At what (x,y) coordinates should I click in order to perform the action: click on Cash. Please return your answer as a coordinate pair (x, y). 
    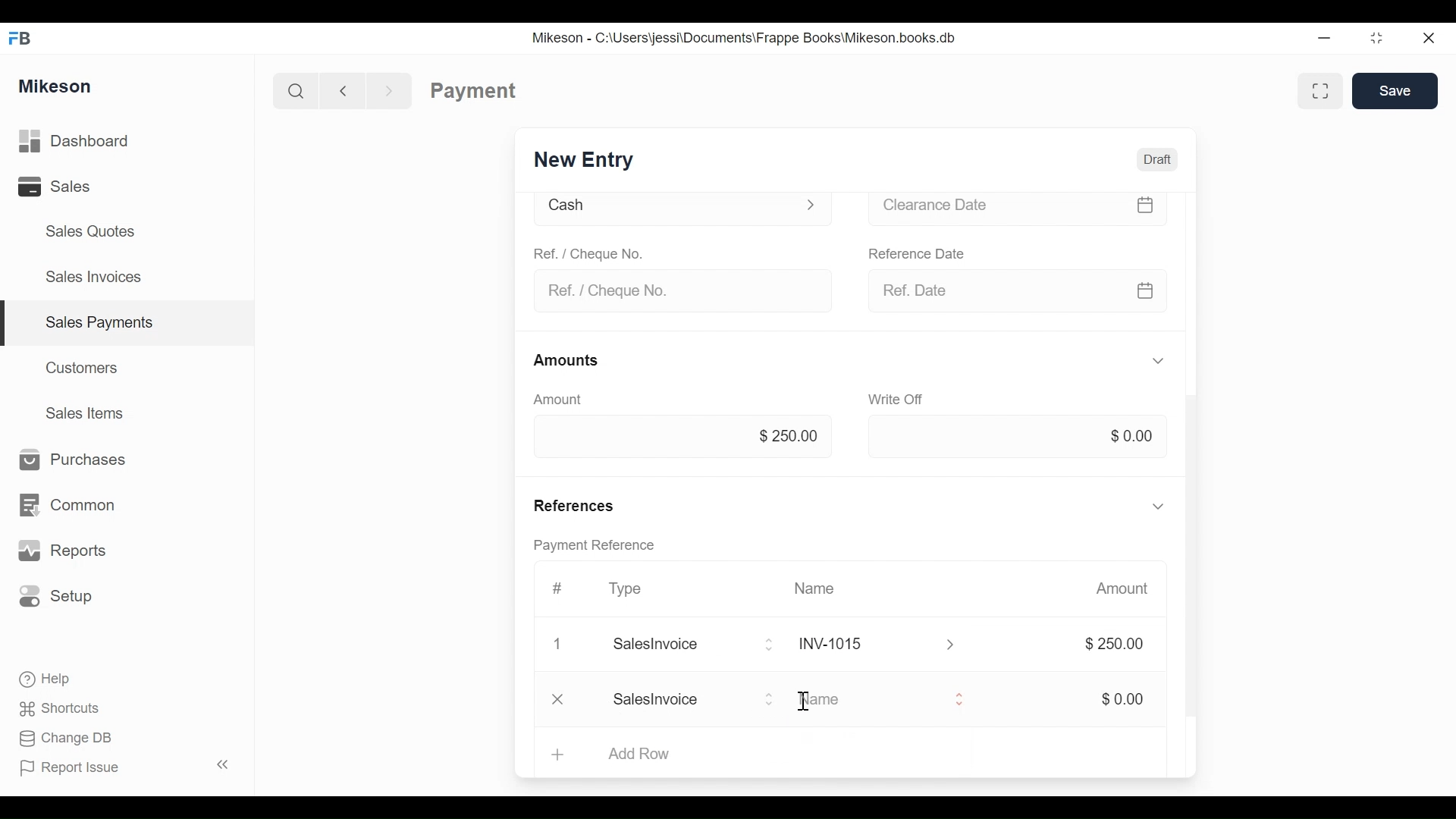
    Looking at the image, I should click on (676, 209).